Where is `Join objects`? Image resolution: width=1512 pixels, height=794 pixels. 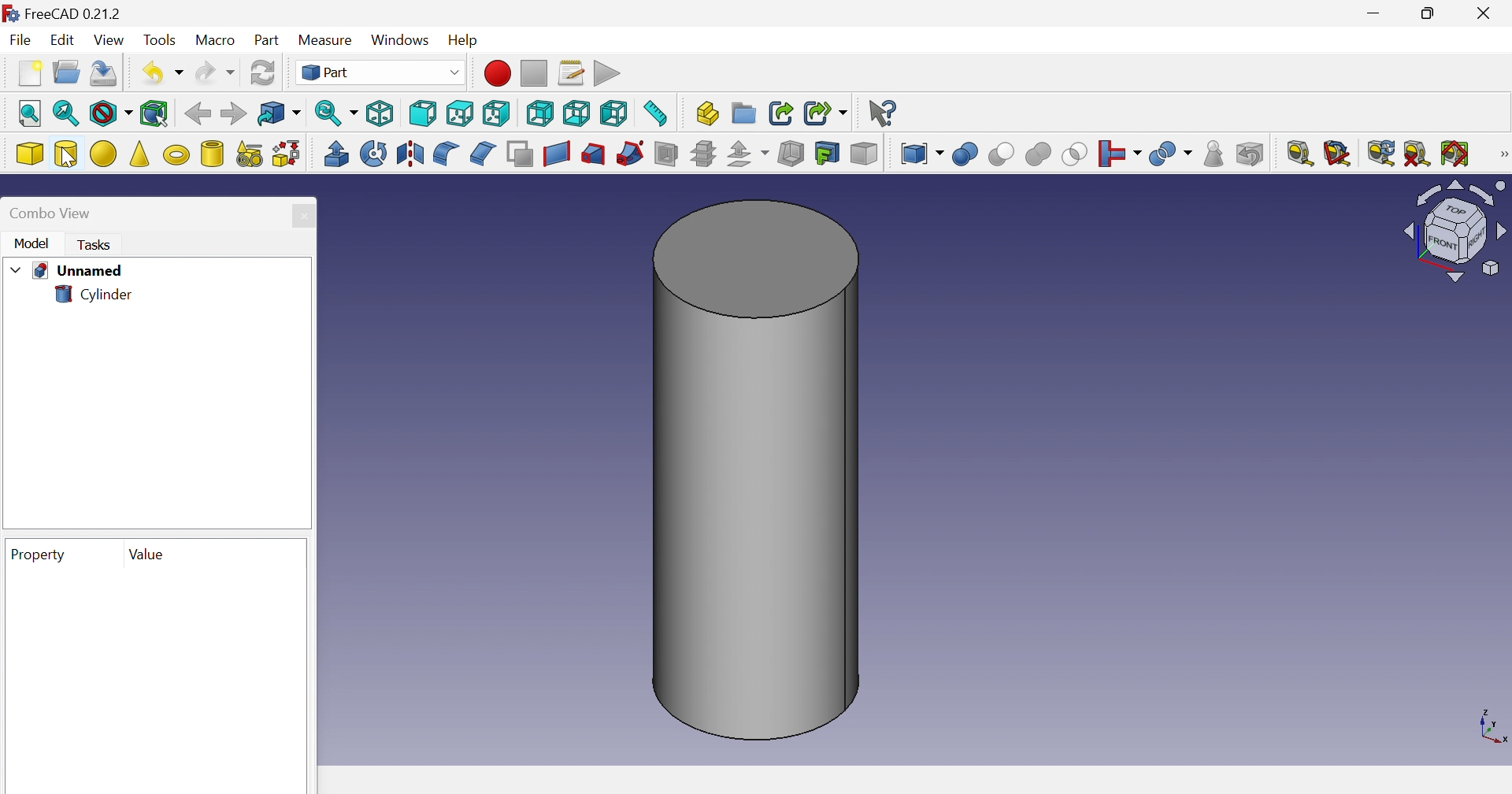 Join objects is located at coordinates (1119, 154).